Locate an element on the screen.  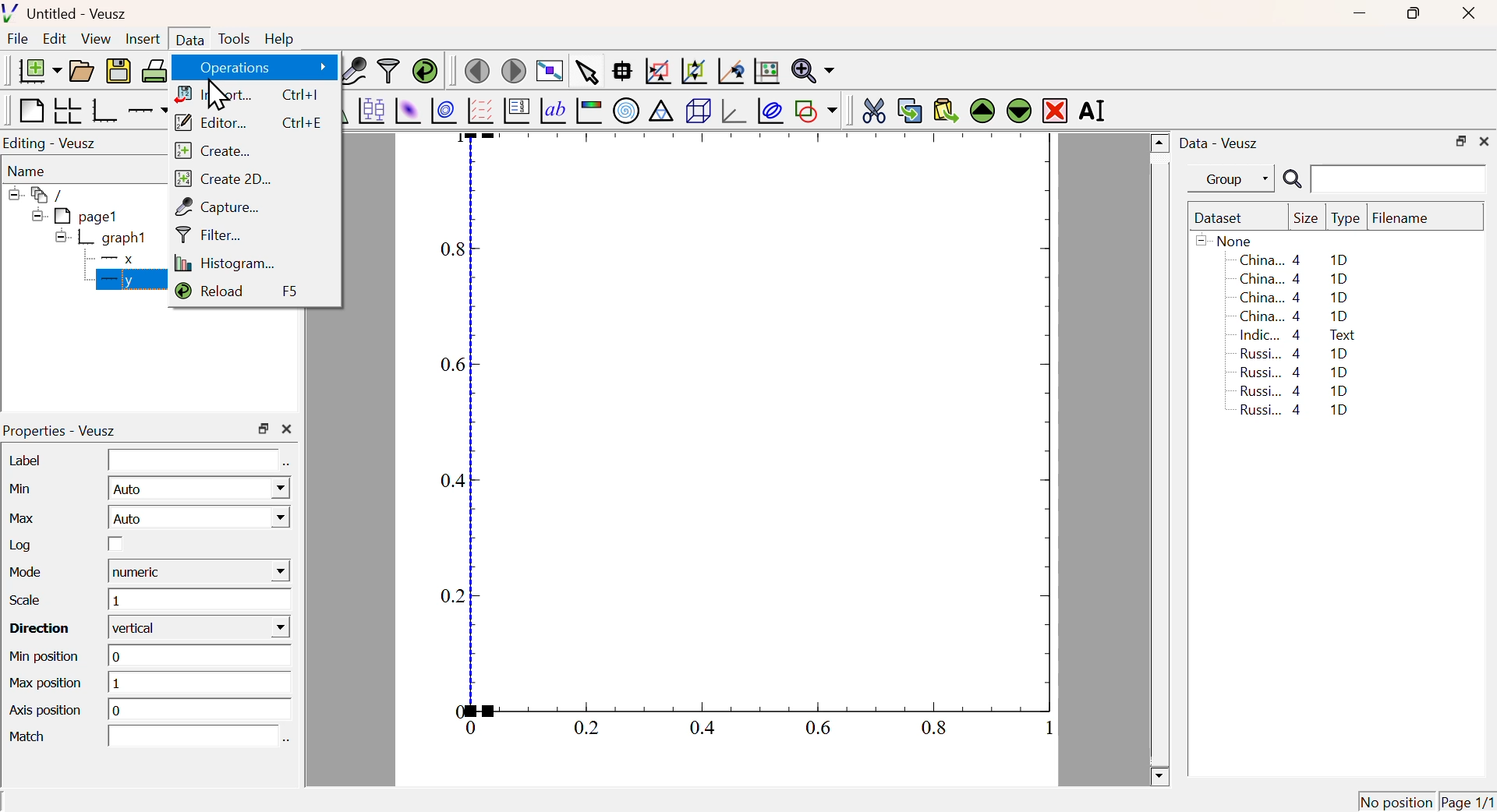
Select using dataset Browser is located at coordinates (287, 740).